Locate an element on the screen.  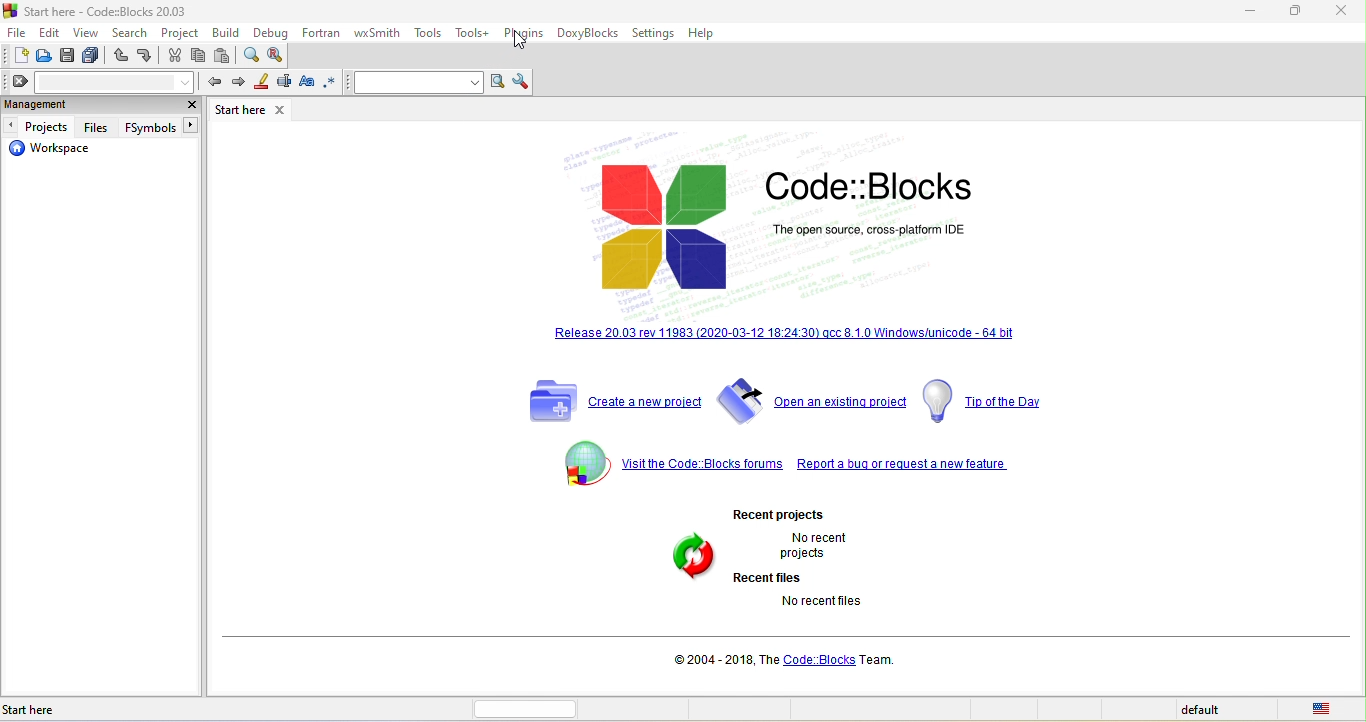
help is located at coordinates (700, 32).